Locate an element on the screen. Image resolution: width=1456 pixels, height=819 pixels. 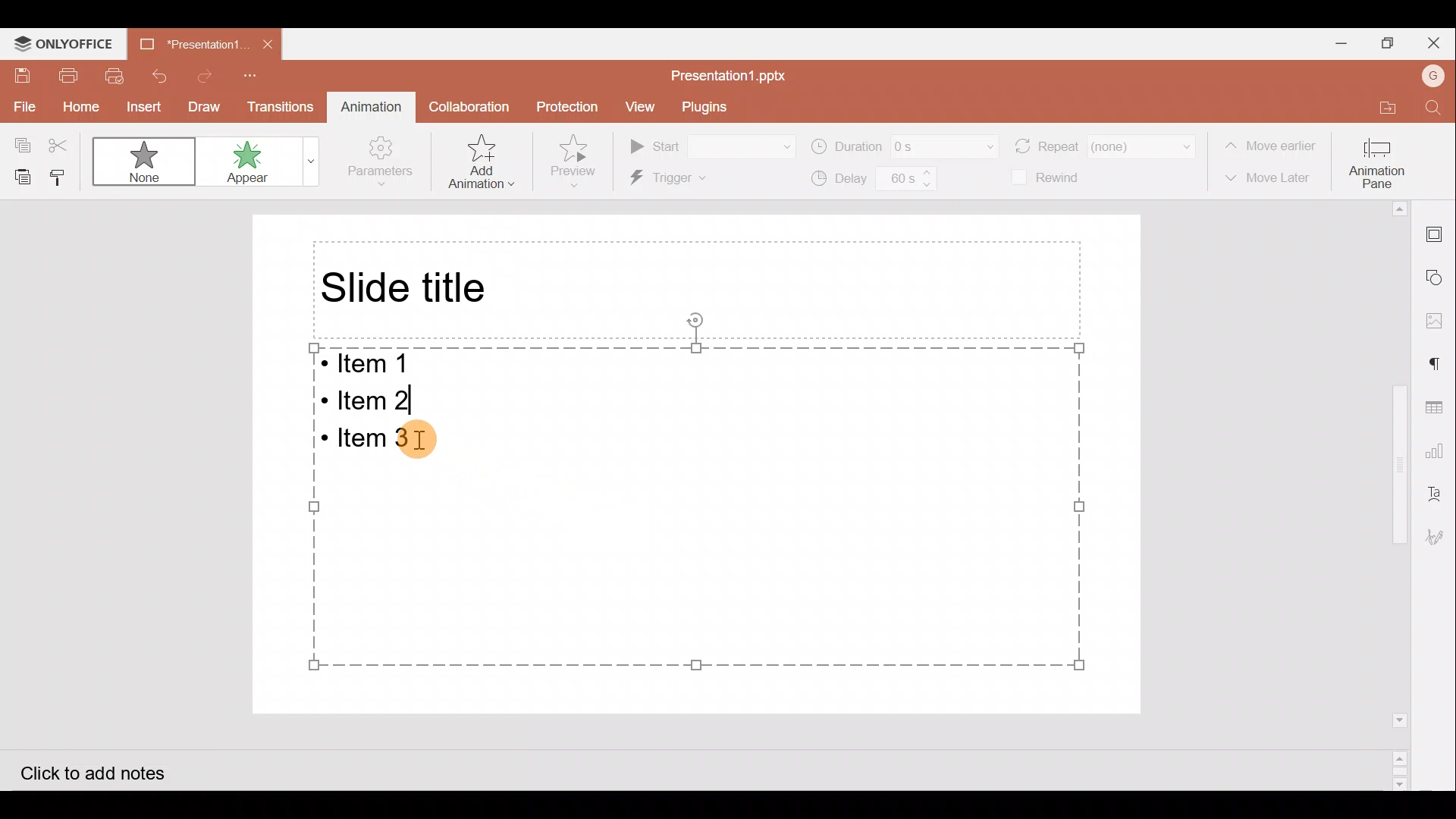
Image settings is located at coordinates (1442, 320).